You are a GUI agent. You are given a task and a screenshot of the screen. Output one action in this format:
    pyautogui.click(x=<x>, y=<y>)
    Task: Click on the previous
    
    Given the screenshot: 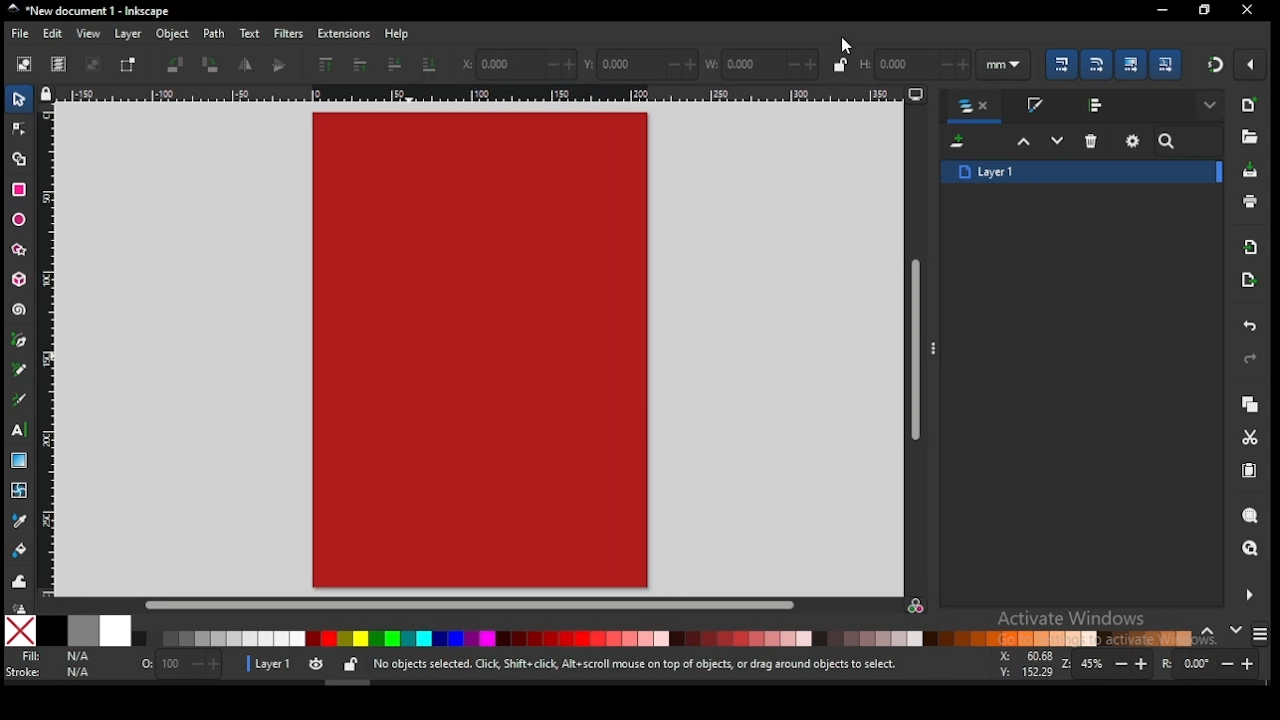 What is the action you would take?
    pyautogui.click(x=1211, y=632)
    